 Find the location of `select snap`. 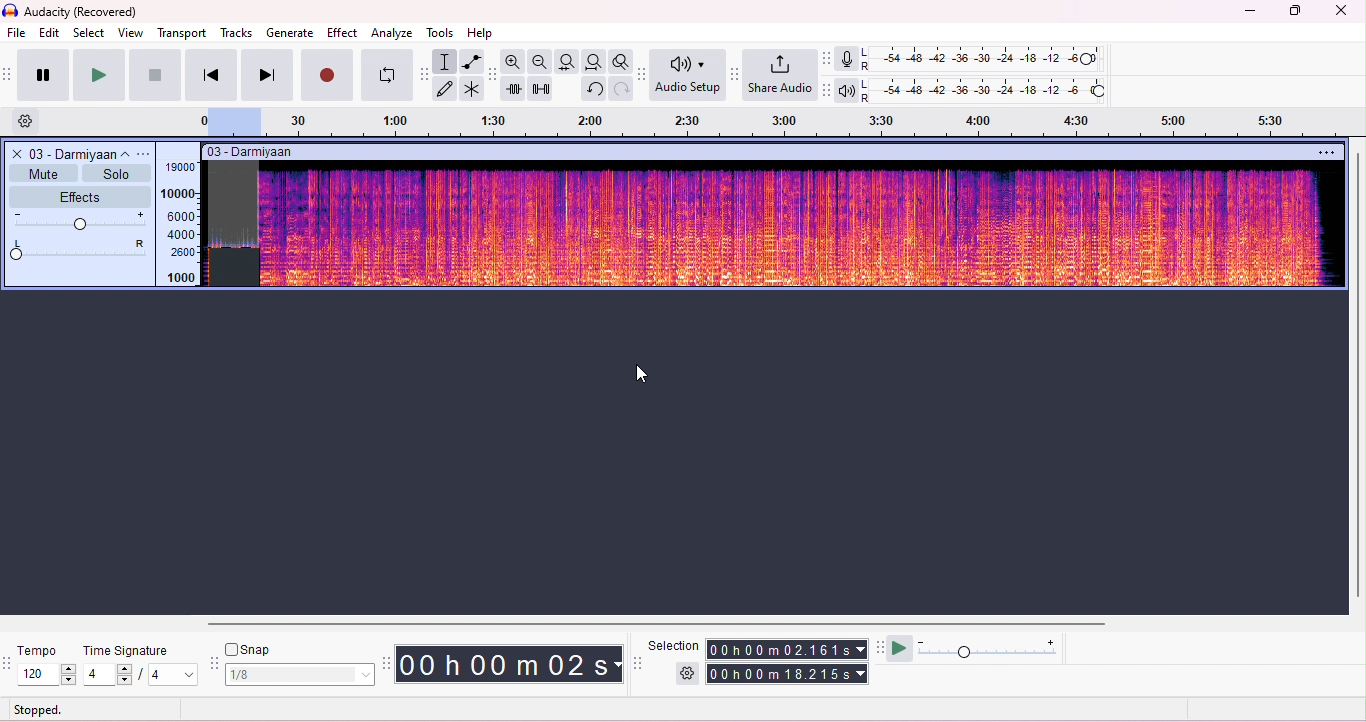

select snap is located at coordinates (302, 674).